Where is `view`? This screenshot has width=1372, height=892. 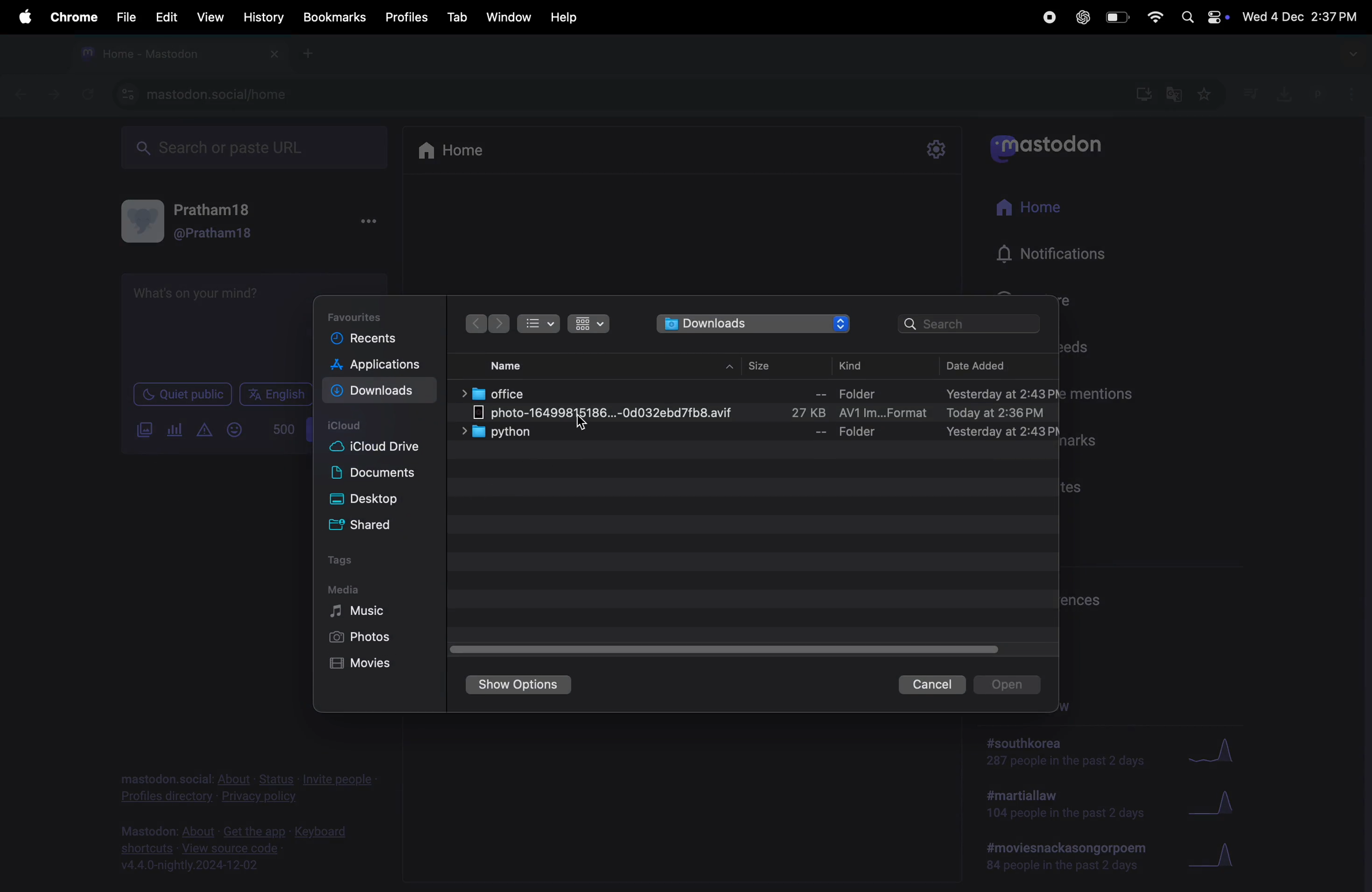
view is located at coordinates (209, 17).